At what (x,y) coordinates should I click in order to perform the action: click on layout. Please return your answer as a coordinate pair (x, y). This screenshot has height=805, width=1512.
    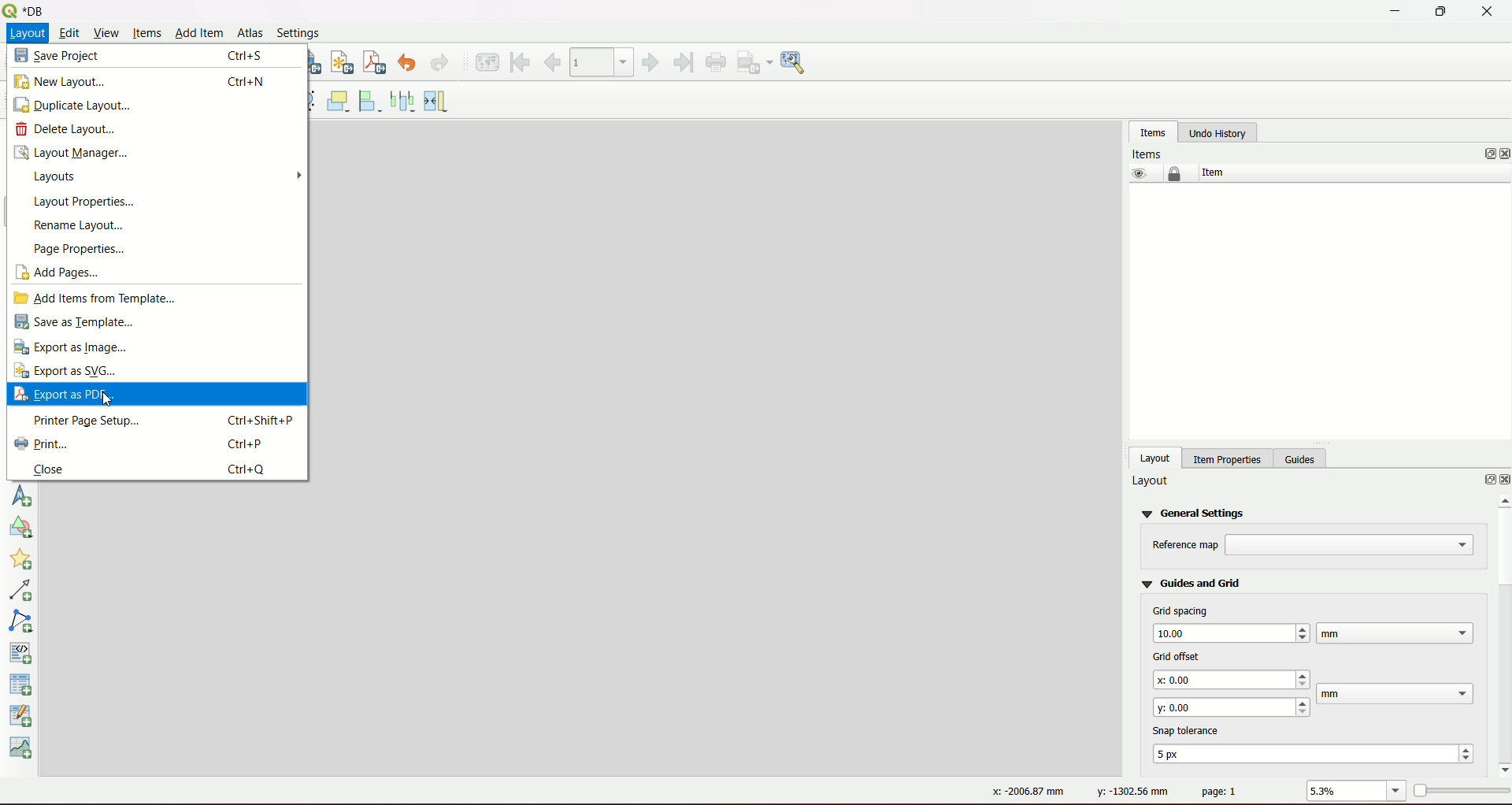
    Looking at the image, I should click on (1151, 481).